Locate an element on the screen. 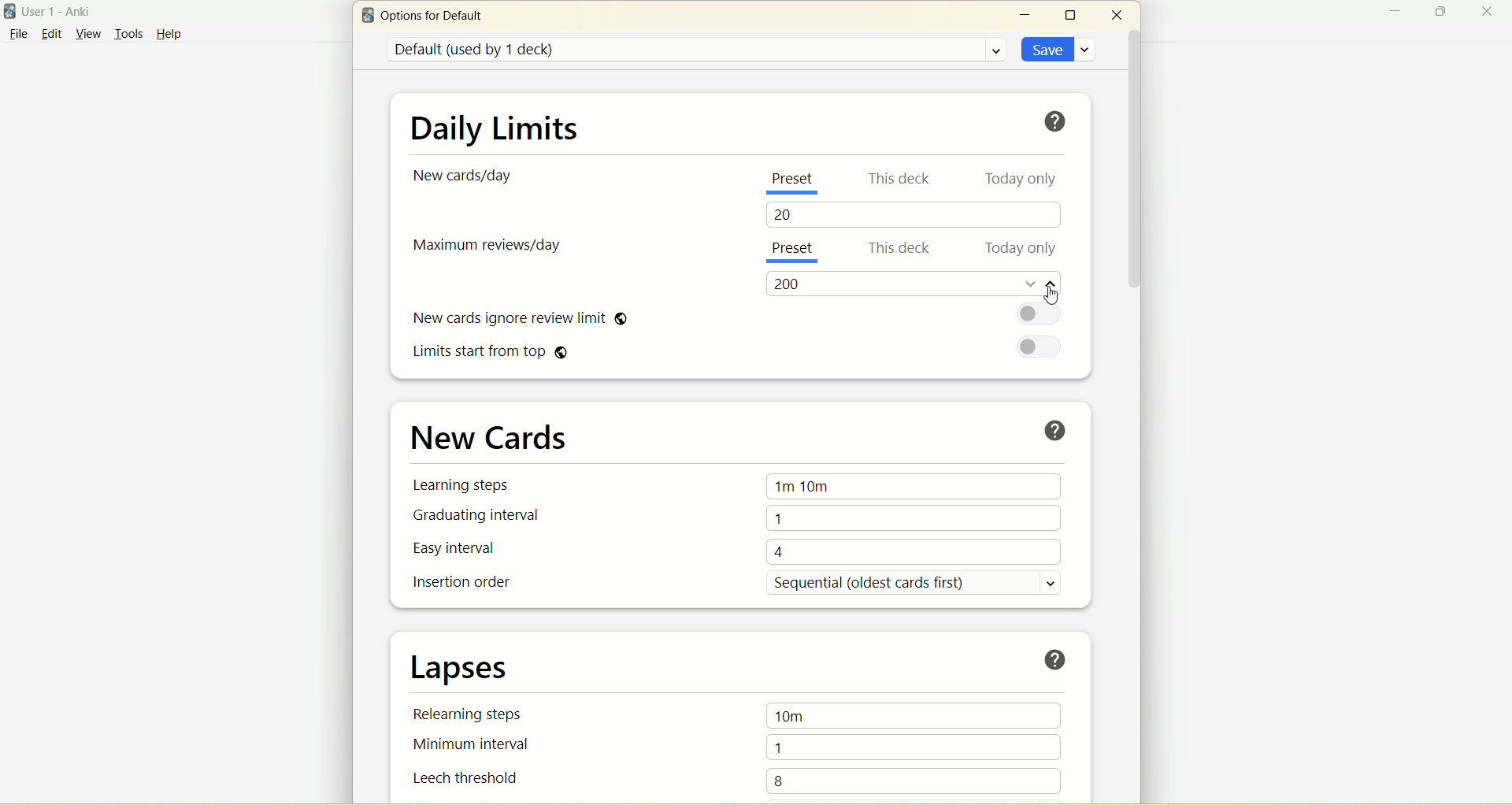 The width and height of the screenshot is (1512, 805). save is located at coordinates (1046, 50).